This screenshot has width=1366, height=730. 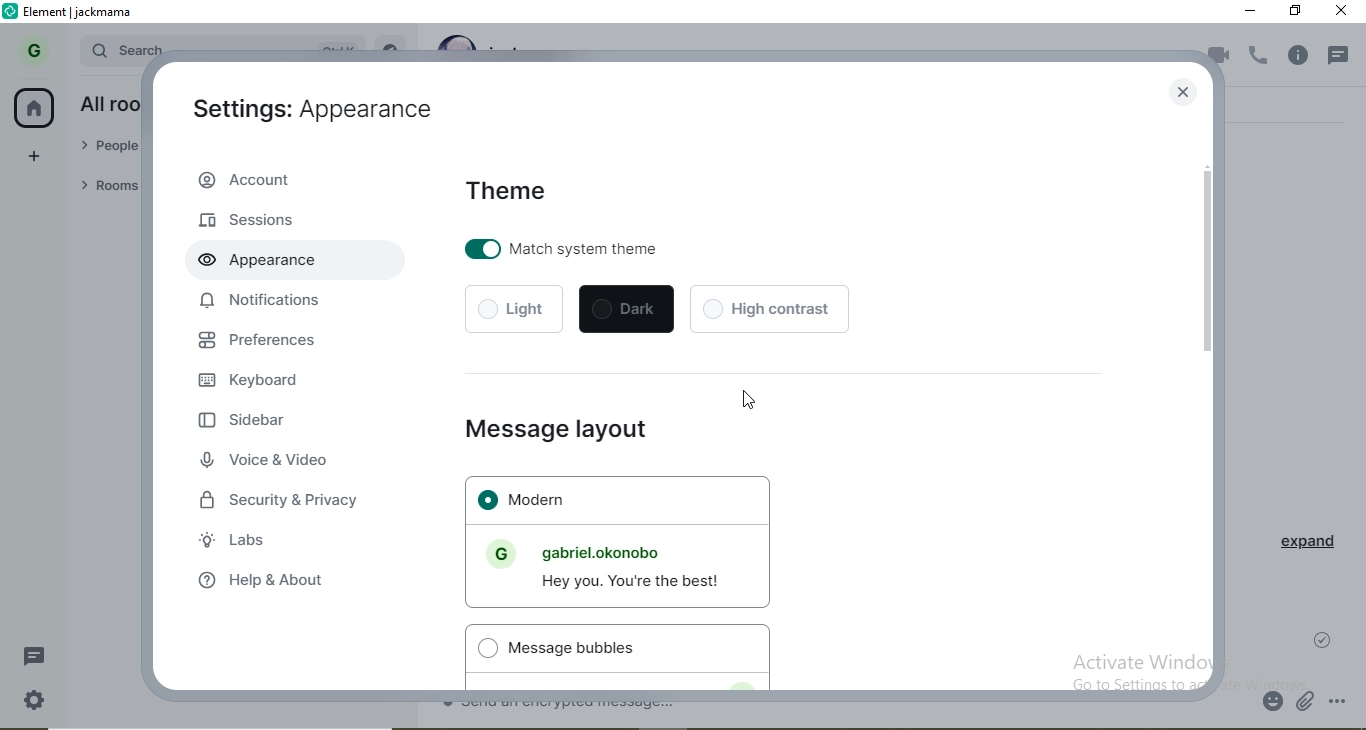 I want to click on Message bubbles, so click(x=571, y=649).